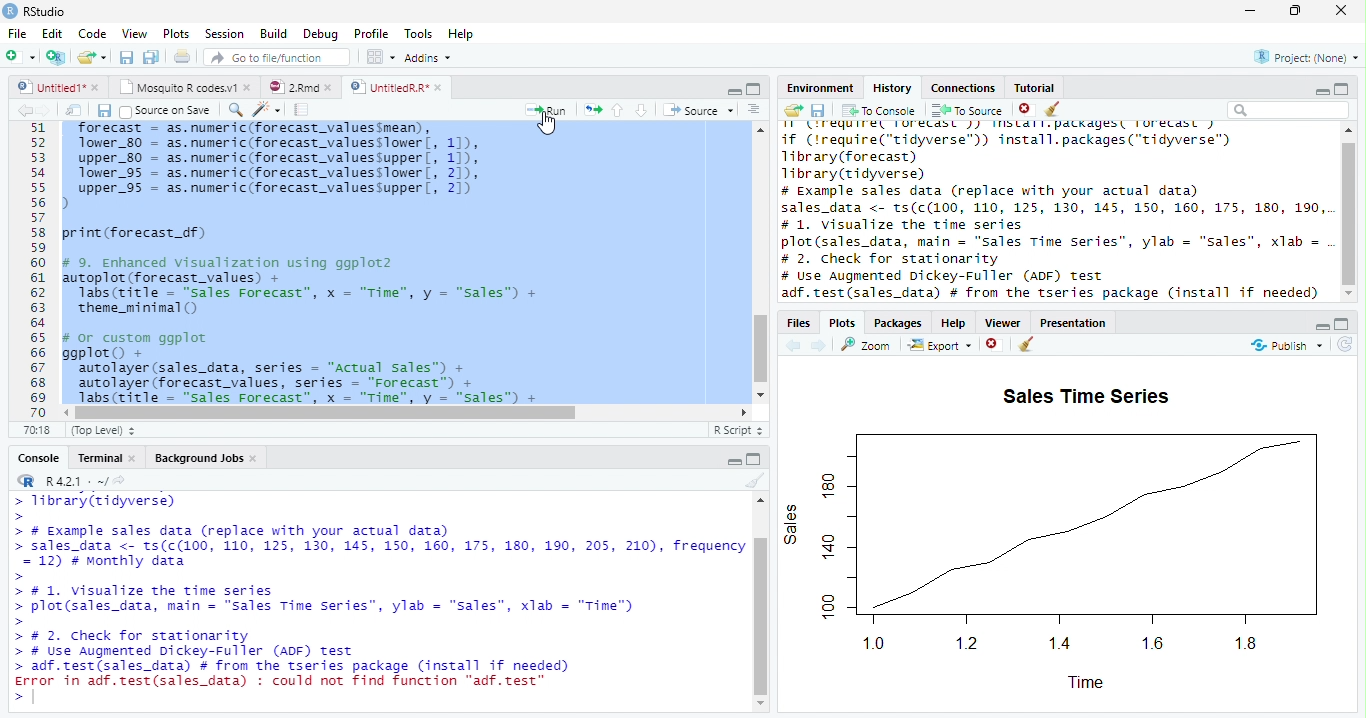 The height and width of the screenshot is (718, 1366). Describe the element at coordinates (967, 109) in the screenshot. I see `To Source` at that location.